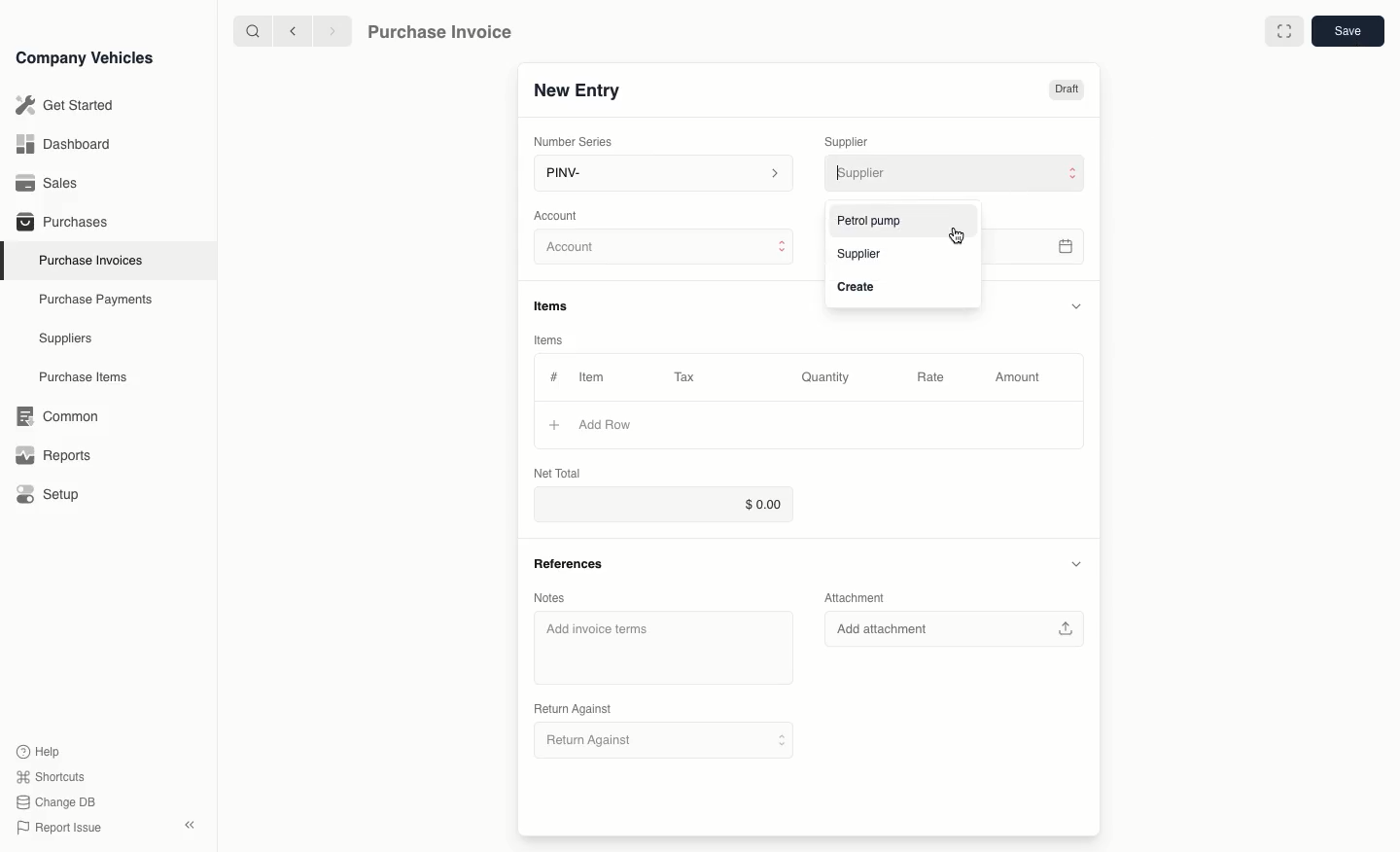 The image size is (1400, 852). What do you see at coordinates (828, 377) in the screenshot?
I see `Quantity` at bounding box center [828, 377].